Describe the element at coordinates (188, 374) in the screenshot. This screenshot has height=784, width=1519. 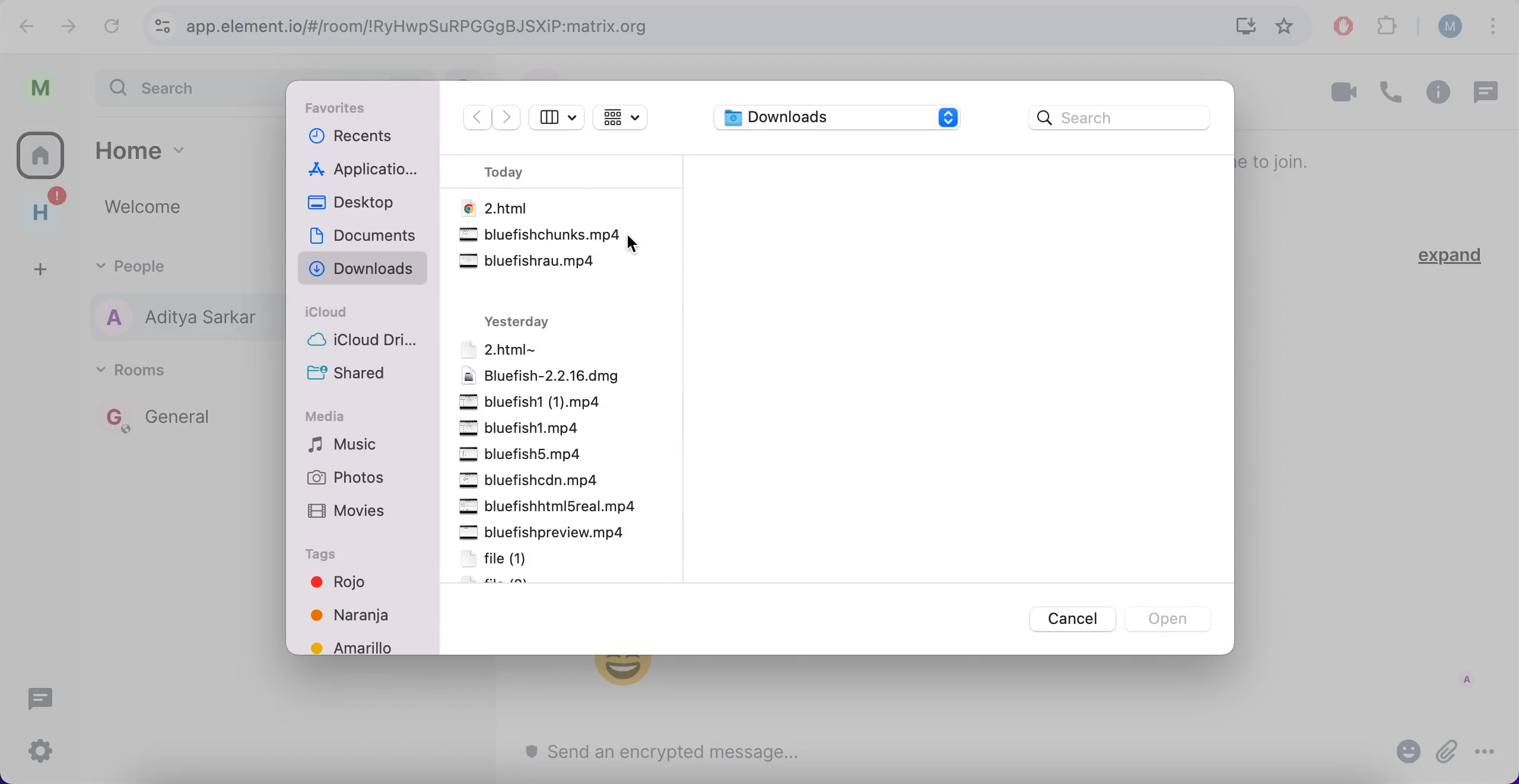
I see `rooms` at that location.